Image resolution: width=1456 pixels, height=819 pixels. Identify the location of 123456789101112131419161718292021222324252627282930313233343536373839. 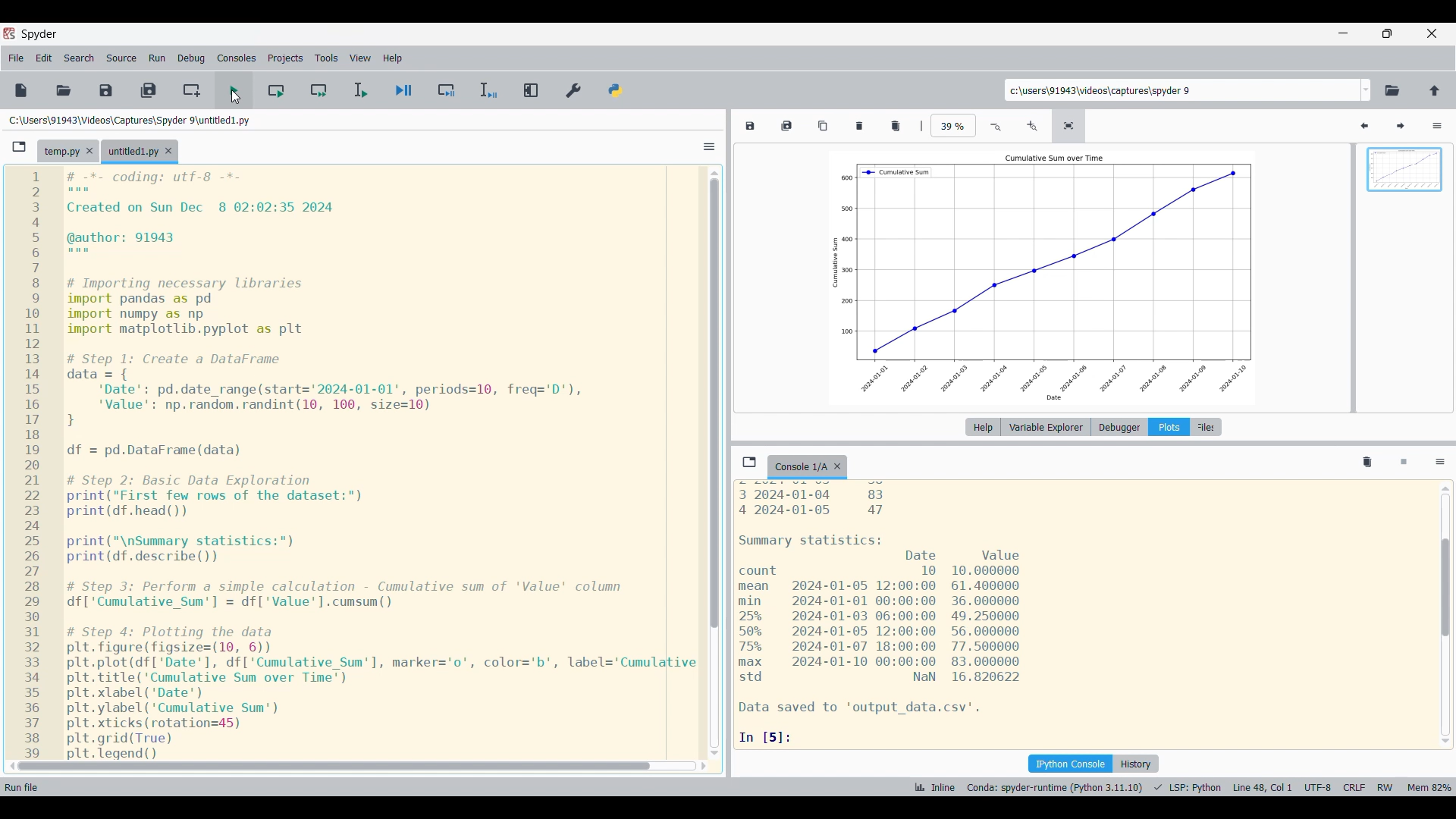
(30, 461).